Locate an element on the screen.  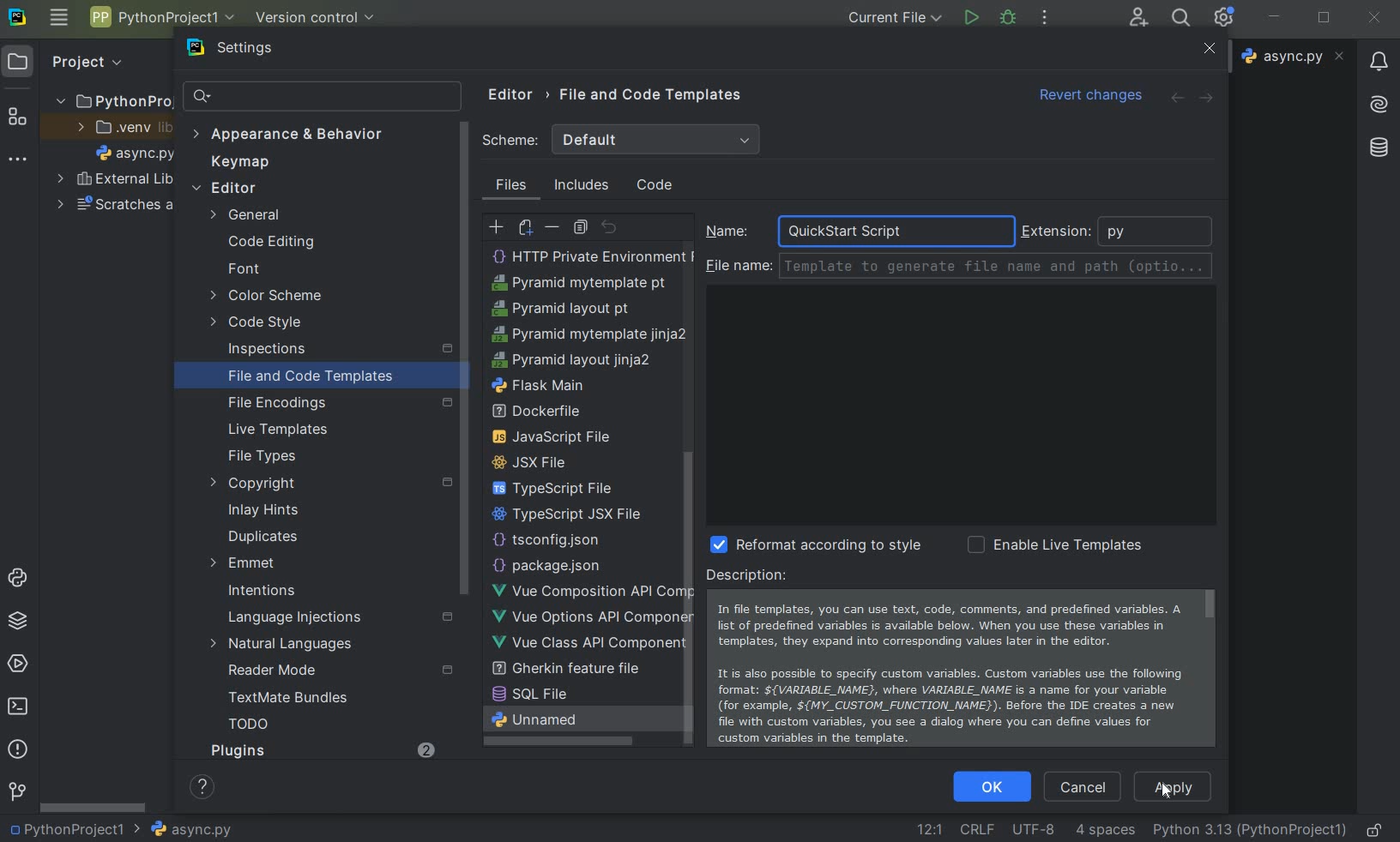
file name is located at coordinates (962, 269).